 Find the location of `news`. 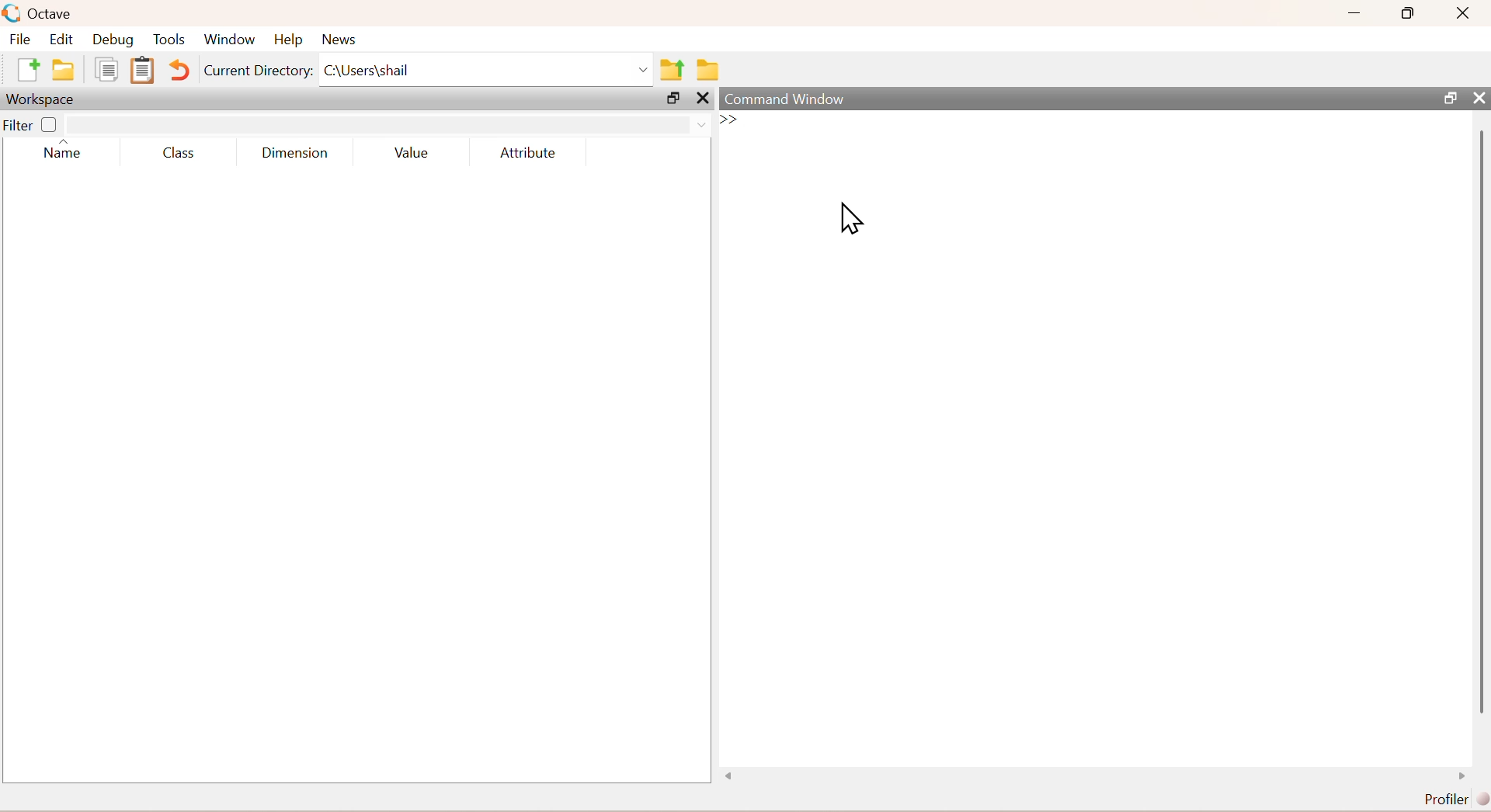

news is located at coordinates (342, 40).